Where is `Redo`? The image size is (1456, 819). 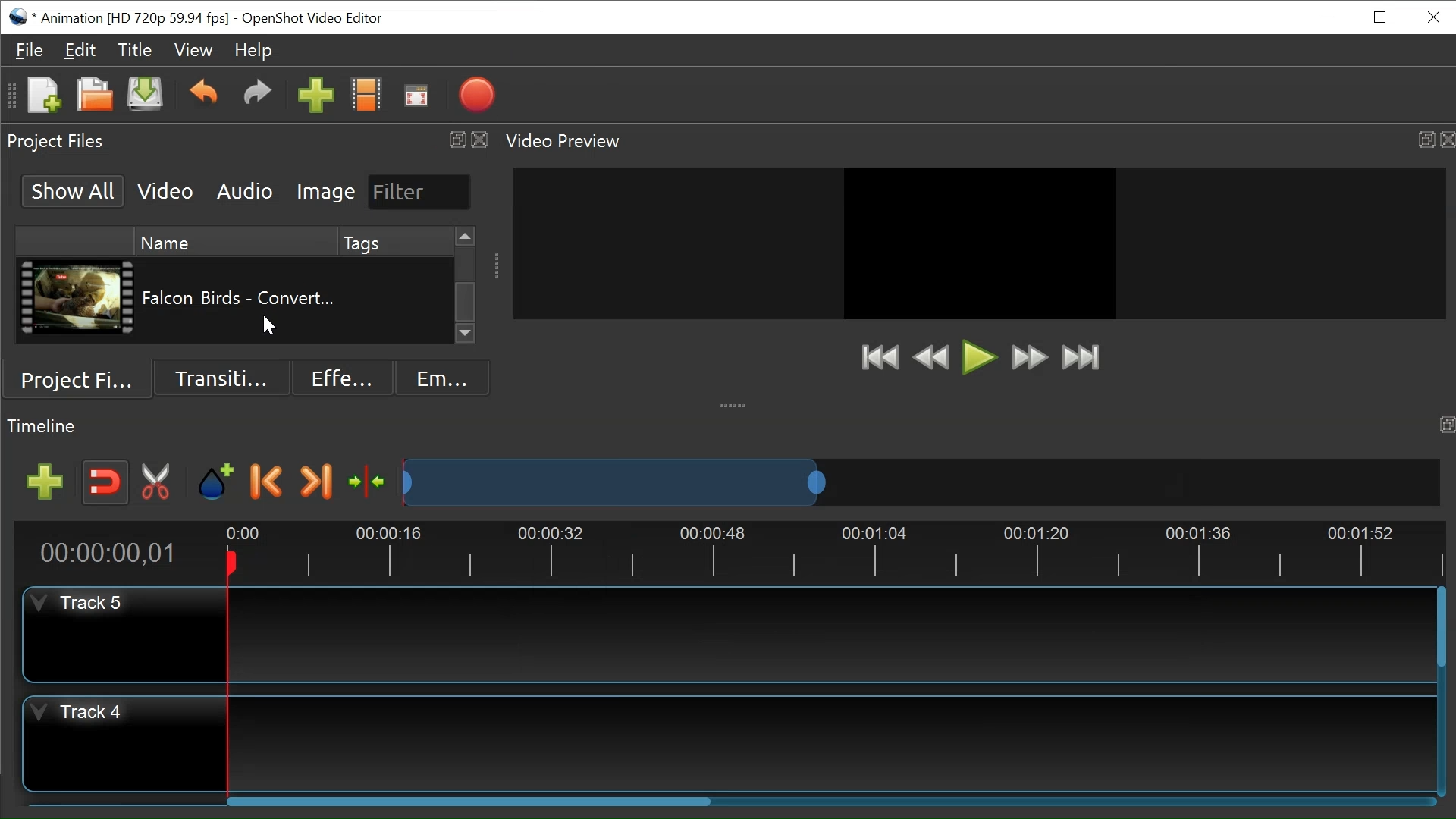 Redo is located at coordinates (257, 97).